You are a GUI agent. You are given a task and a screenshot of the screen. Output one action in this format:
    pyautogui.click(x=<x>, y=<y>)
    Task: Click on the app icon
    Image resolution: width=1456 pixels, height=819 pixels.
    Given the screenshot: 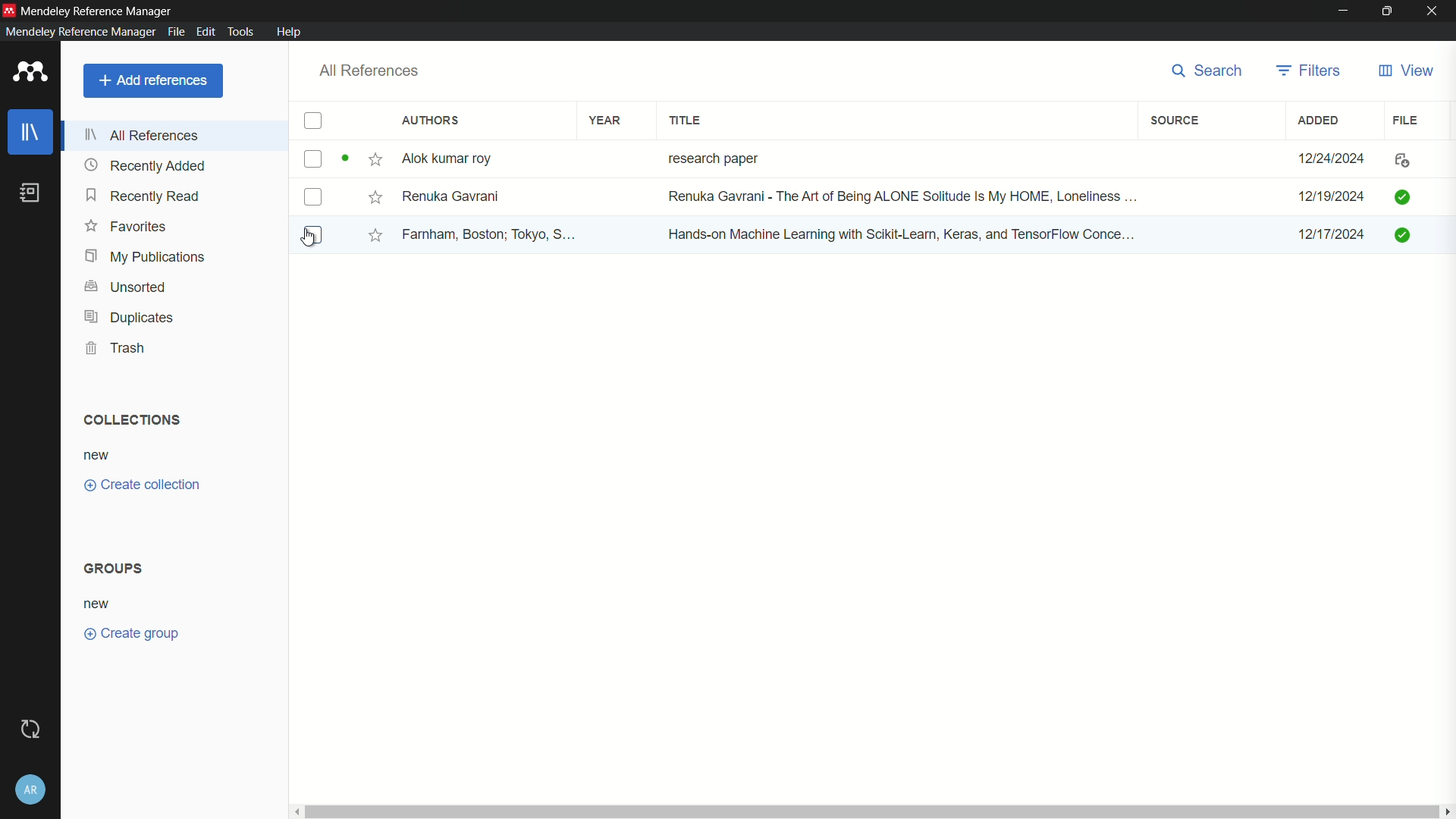 What is the action you would take?
    pyautogui.click(x=31, y=72)
    